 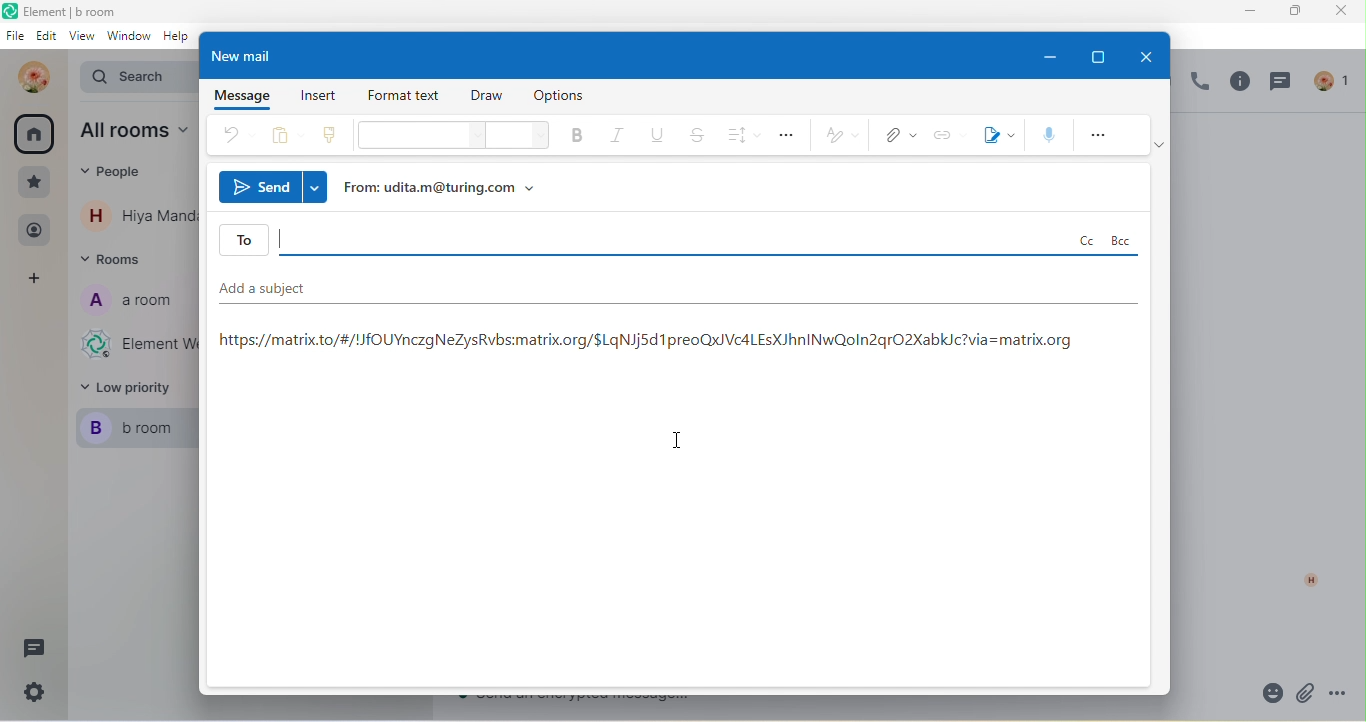 I want to click on add a subject, so click(x=672, y=296).